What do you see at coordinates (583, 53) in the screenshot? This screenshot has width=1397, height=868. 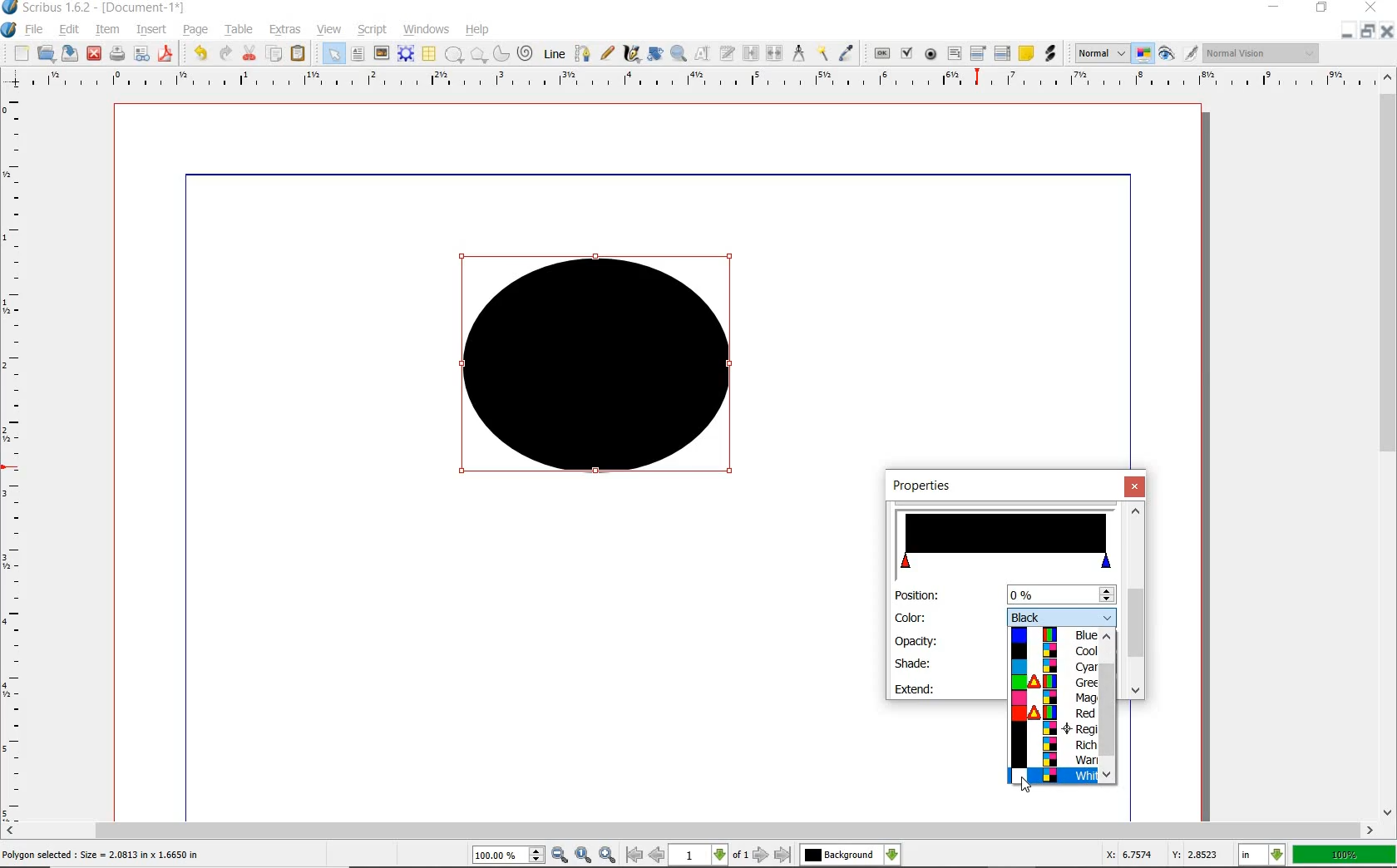 I see `BEZIER CURVE` at bounding box center [583, 53].